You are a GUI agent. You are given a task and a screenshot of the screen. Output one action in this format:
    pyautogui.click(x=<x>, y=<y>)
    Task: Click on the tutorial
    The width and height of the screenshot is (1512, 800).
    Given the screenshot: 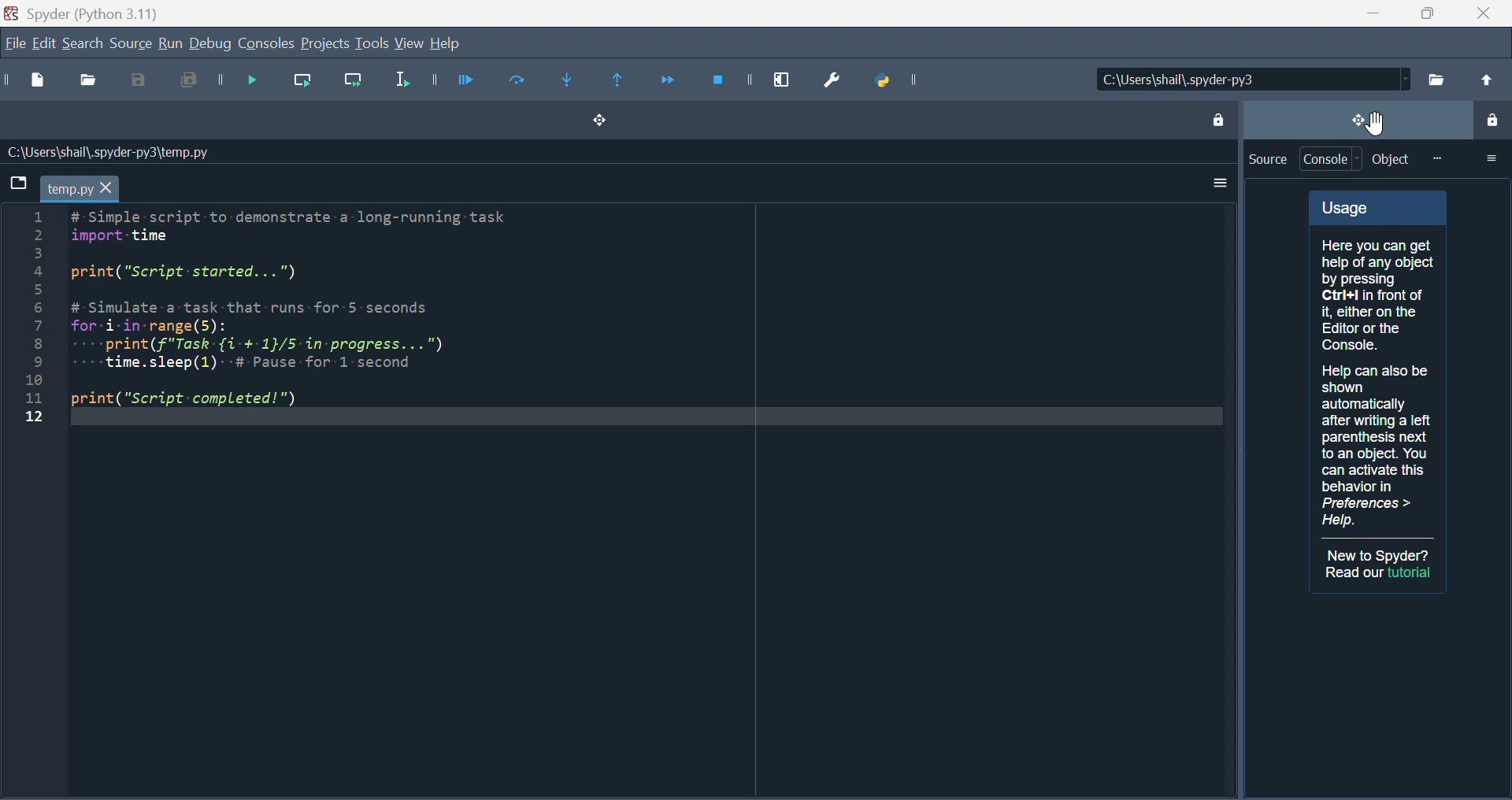 What is the action you would take?
    pyautogui.click(x=1411, y=572)
    